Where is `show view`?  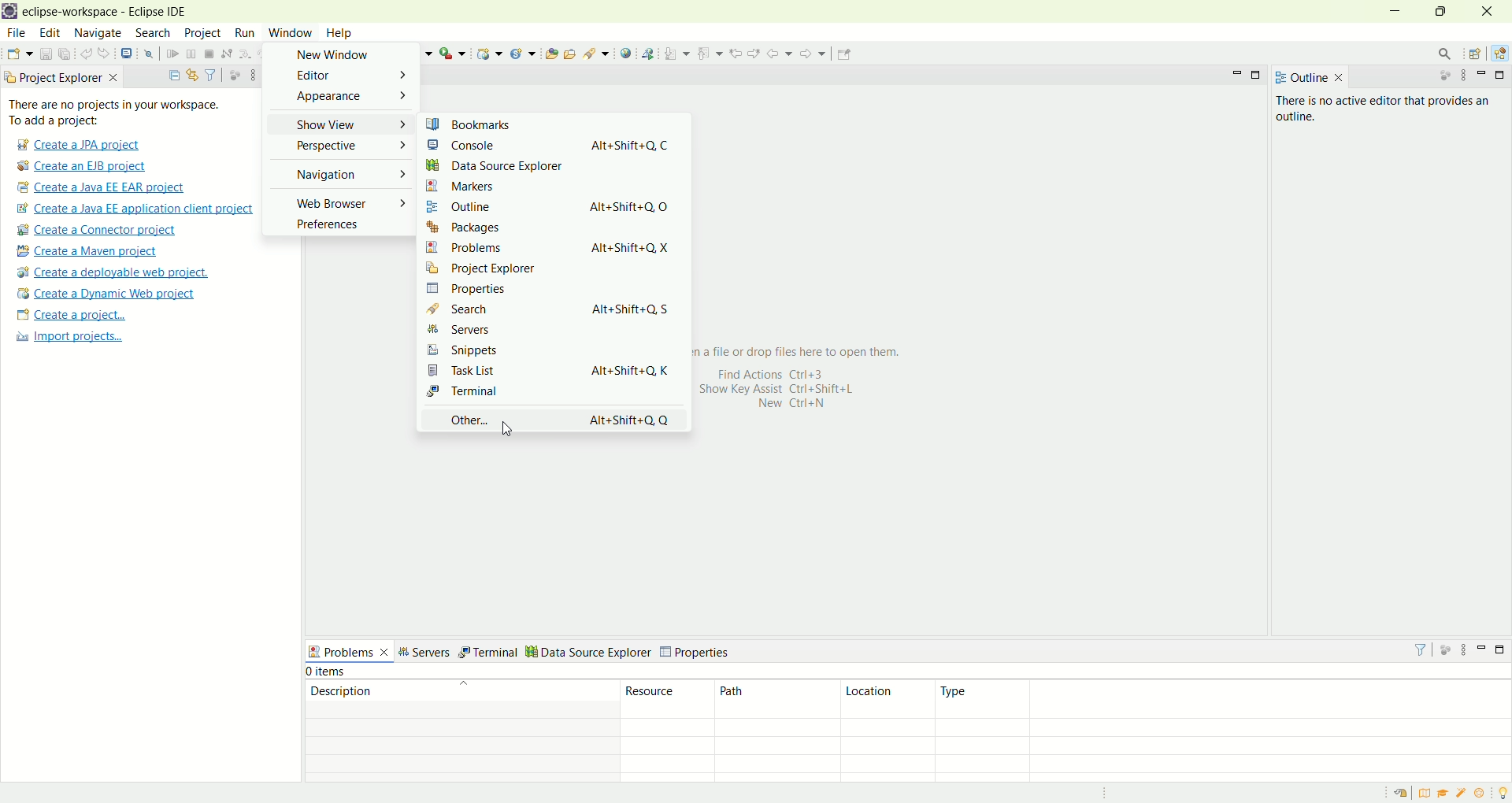
show view is located at coordinates (343, 125).